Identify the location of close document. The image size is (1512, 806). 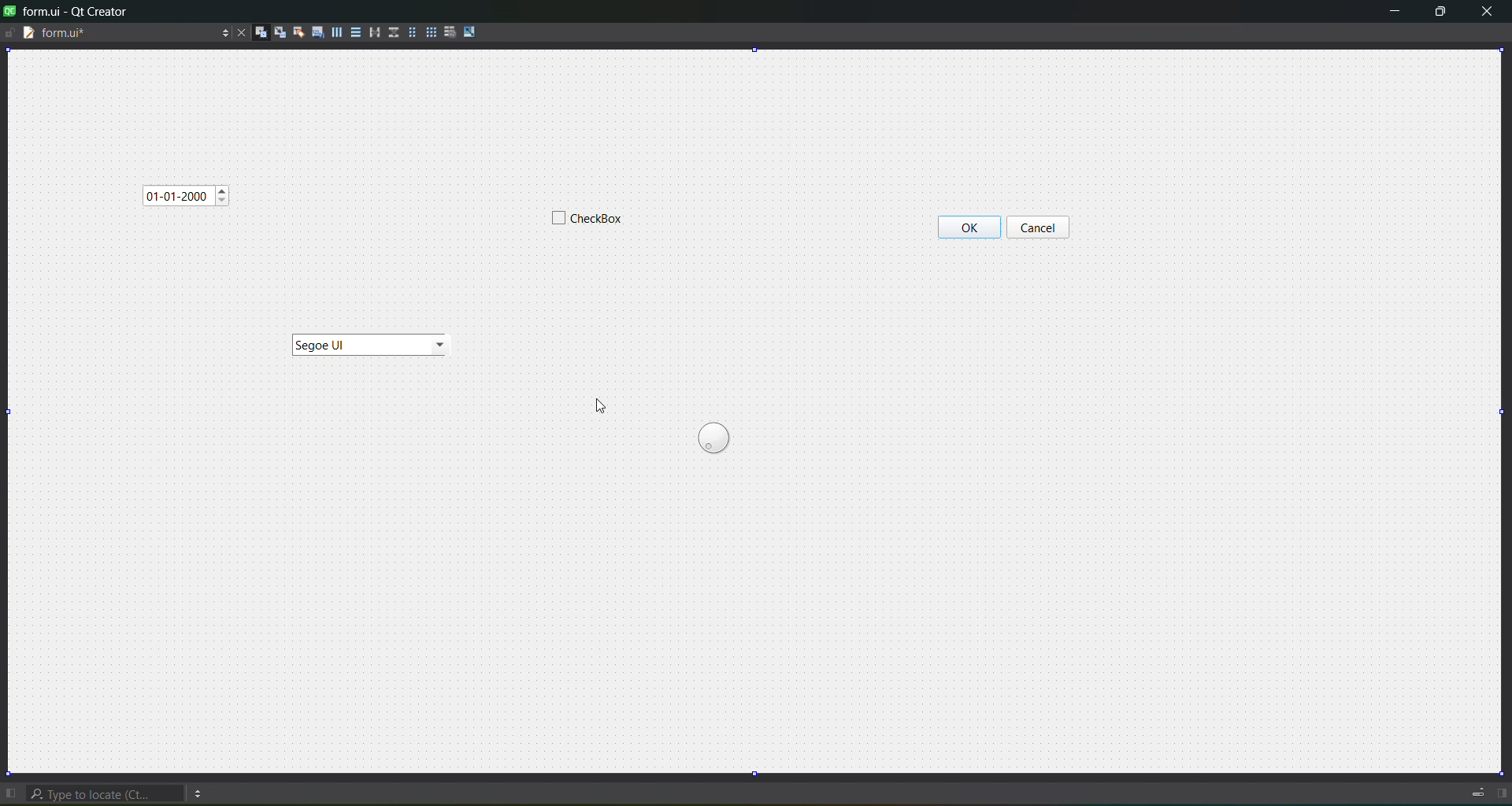
(239, 30).